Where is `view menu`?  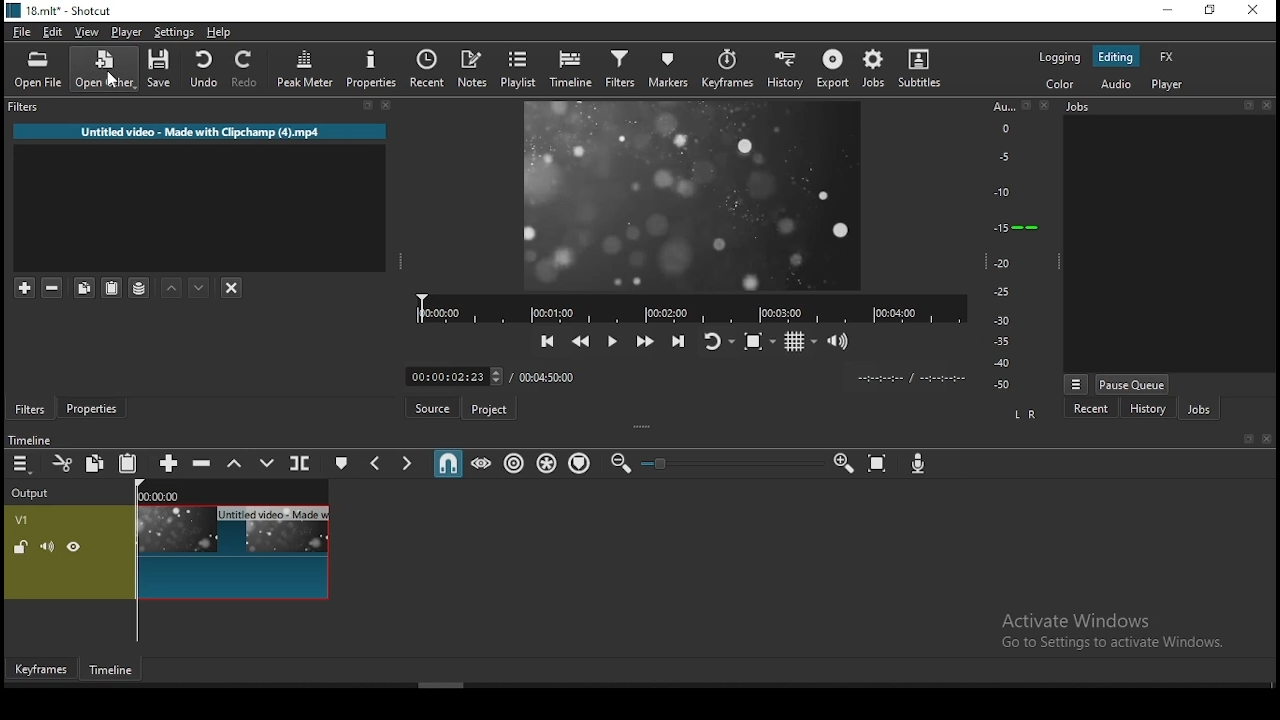
view menu is located at coordinates (1075, 381).